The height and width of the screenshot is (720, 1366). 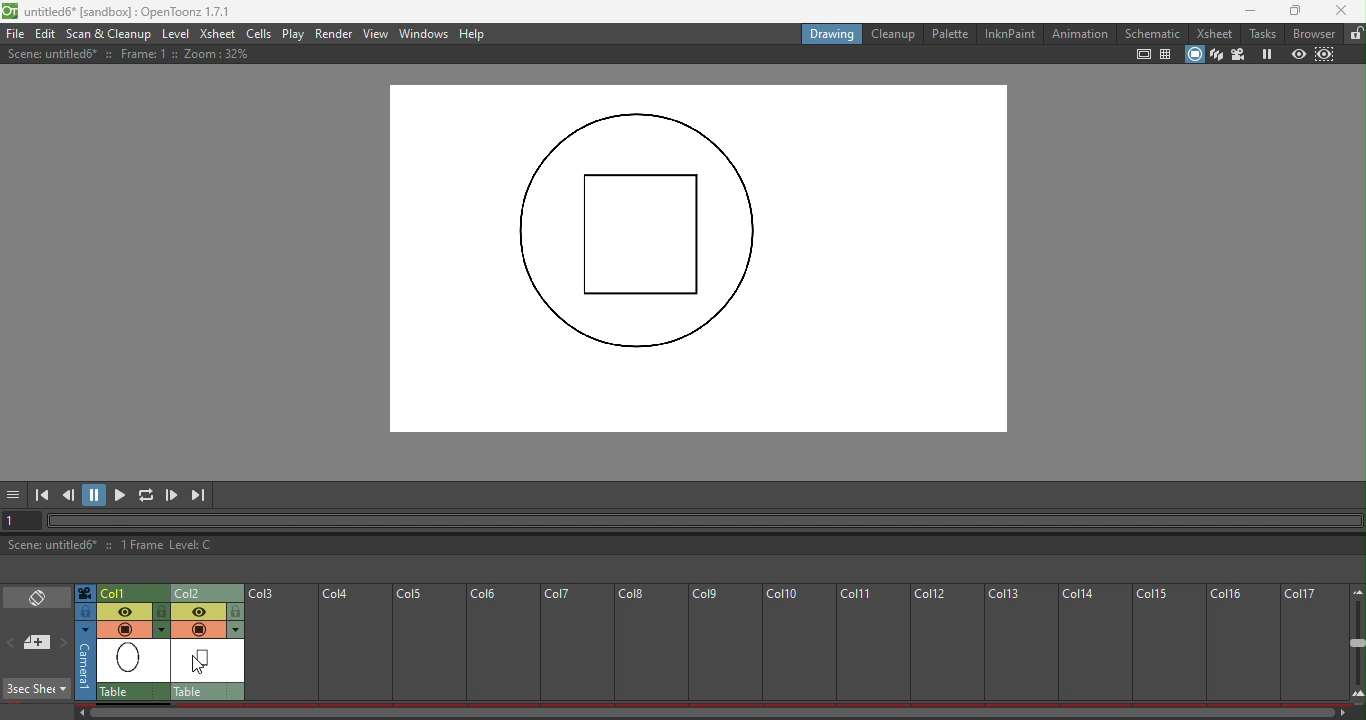 What do you see at coordinates (208, 691) in the screenshot?
I see `Table` at bounding box center [208, 691].